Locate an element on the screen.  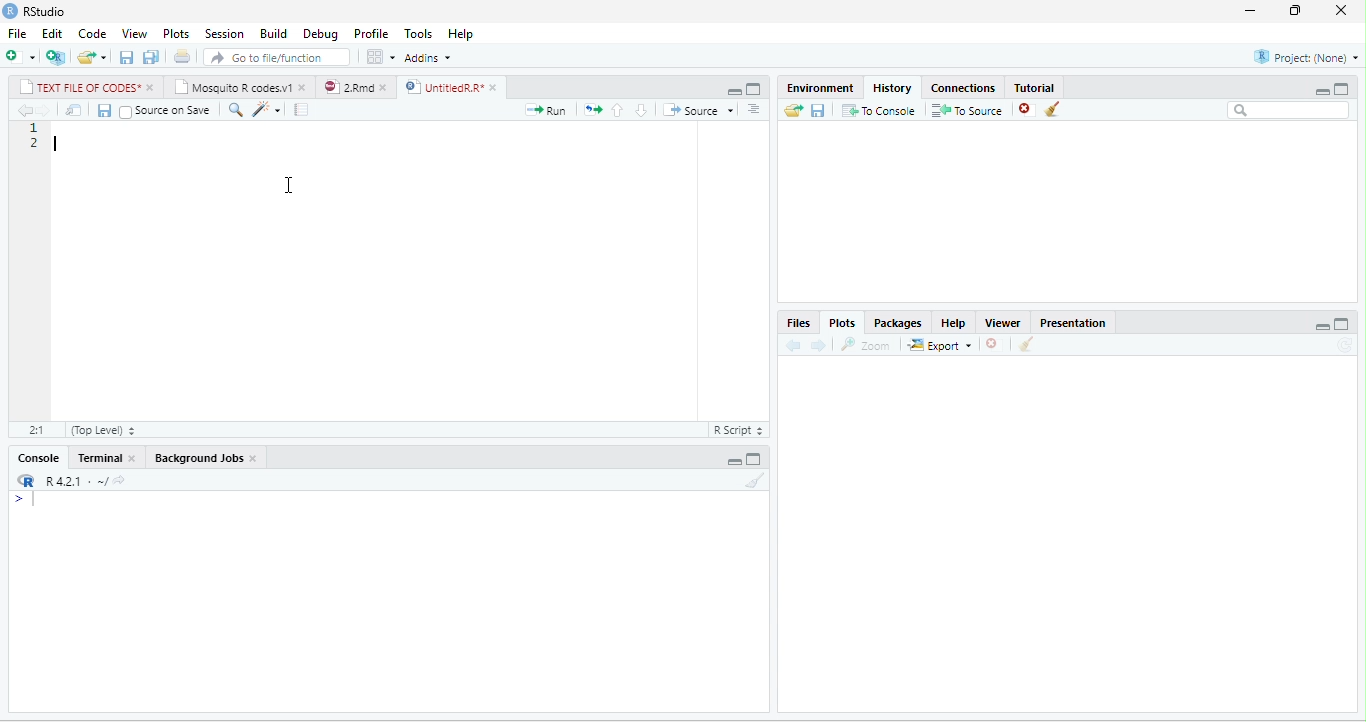
code tools is located at coordinates (267, 110).